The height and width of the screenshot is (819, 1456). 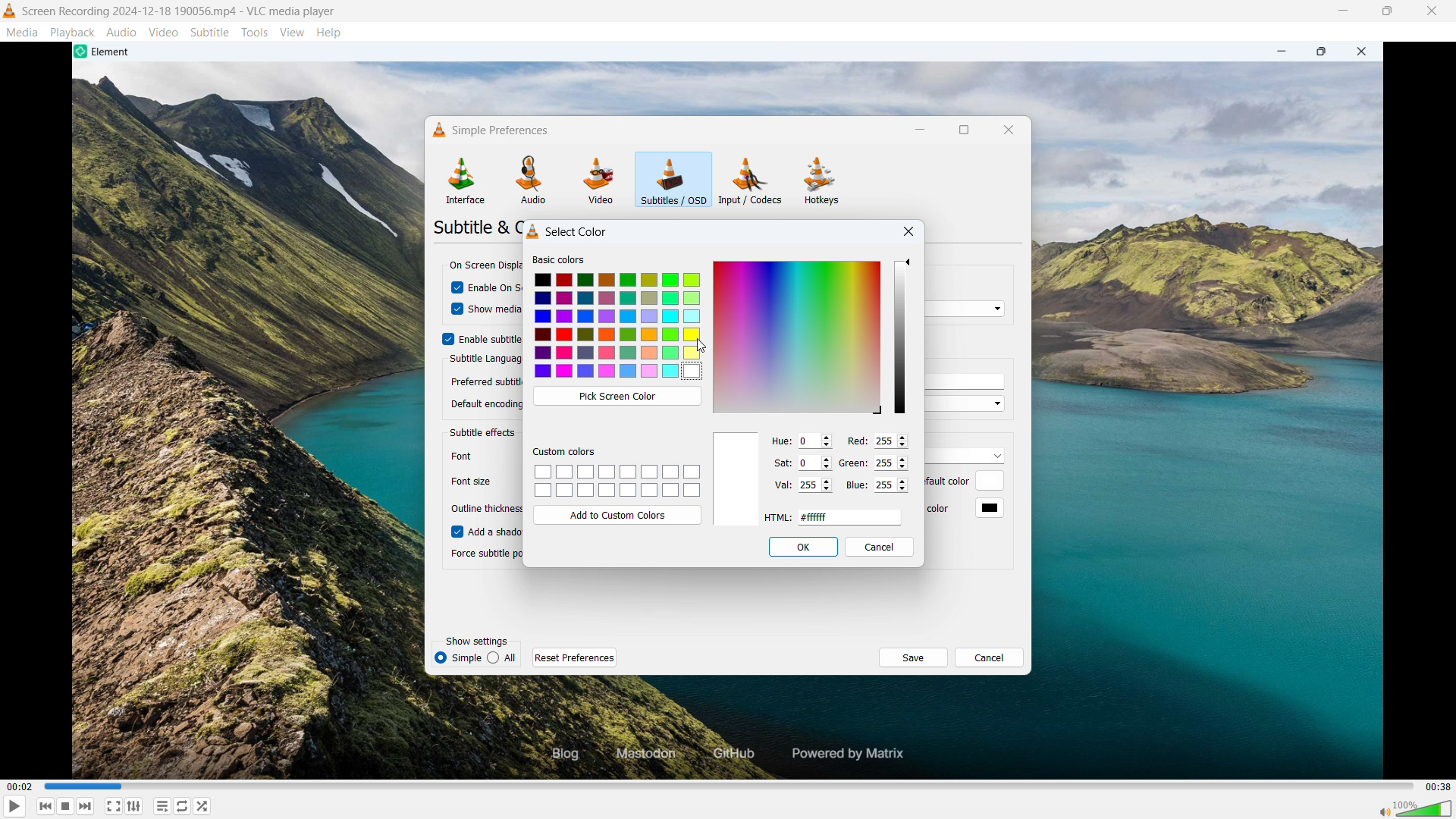 I want to click on Pick screen colour , so click(x=616, y=396).